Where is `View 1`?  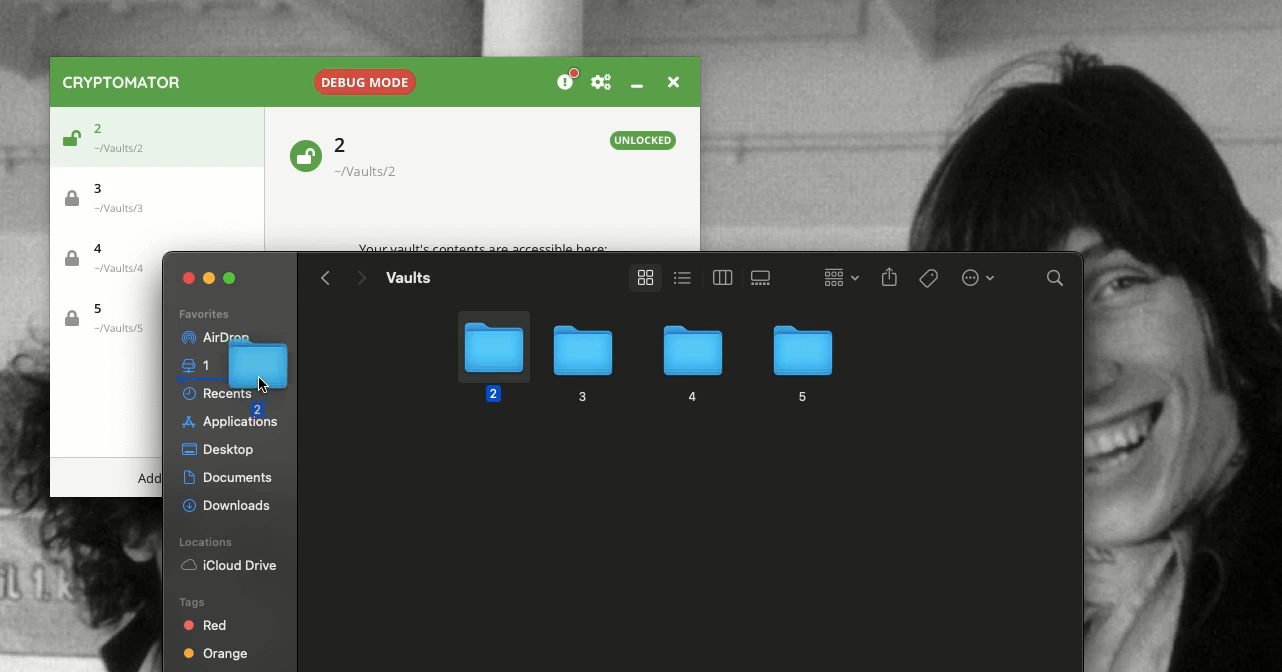 View 1 is located at coordinates (680, 276).